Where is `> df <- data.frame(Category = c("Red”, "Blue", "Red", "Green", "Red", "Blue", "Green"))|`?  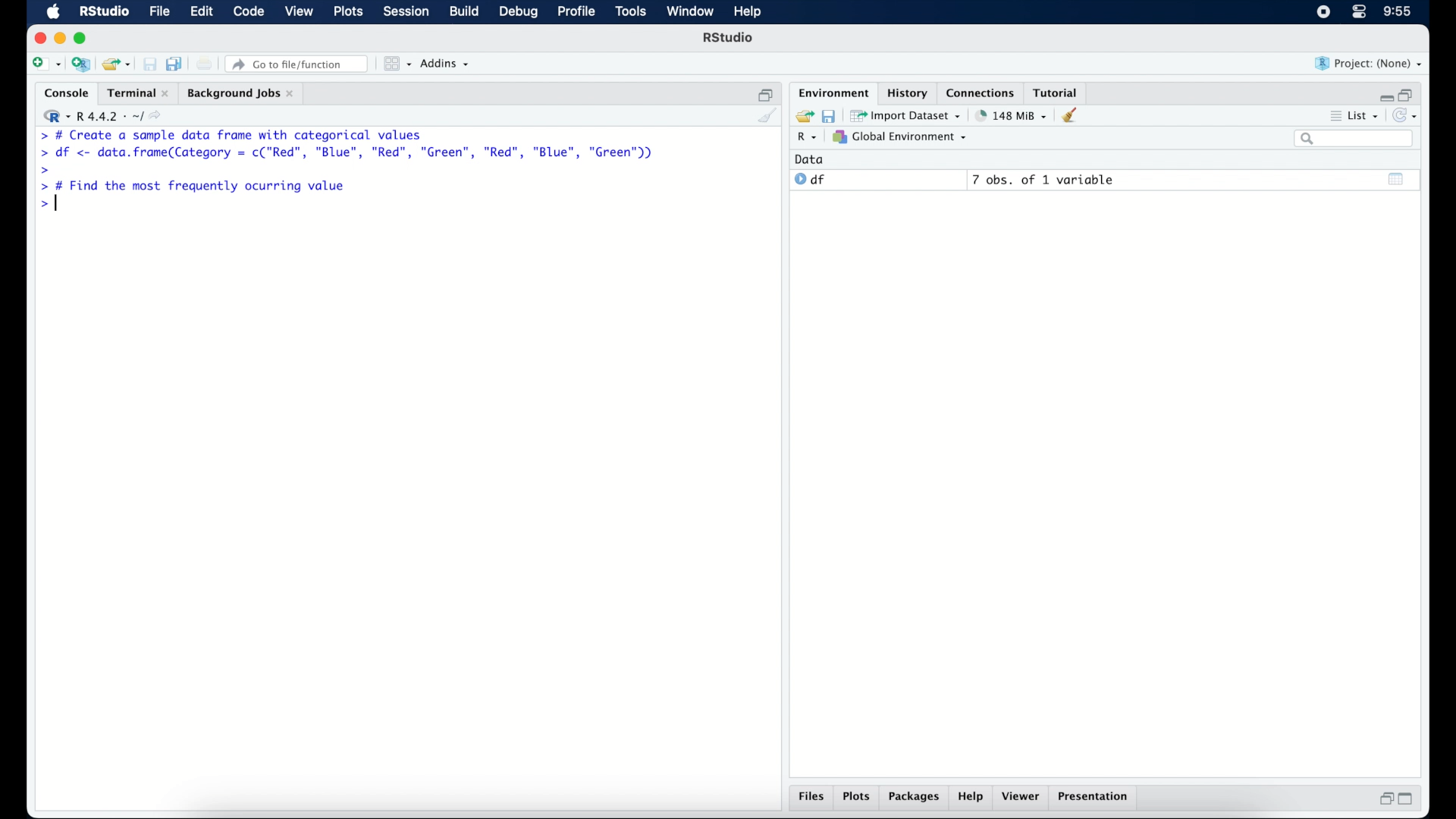
> df <- data.frame(Category = c("Red”, "Blue", "Red", "Green", "Red", "Blue", "Green"))| is located at coordinates (349, 153).